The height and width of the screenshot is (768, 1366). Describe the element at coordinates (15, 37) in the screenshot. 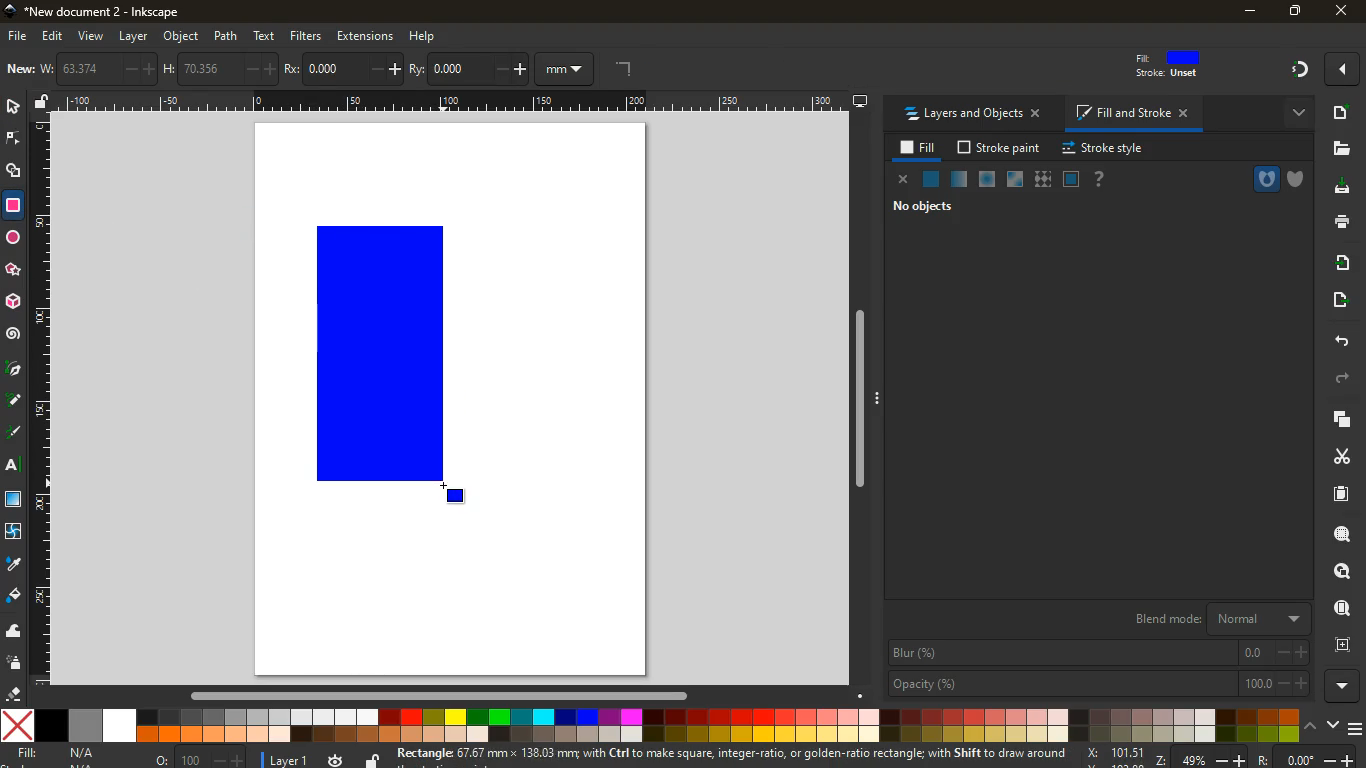

I see `file` at that location.